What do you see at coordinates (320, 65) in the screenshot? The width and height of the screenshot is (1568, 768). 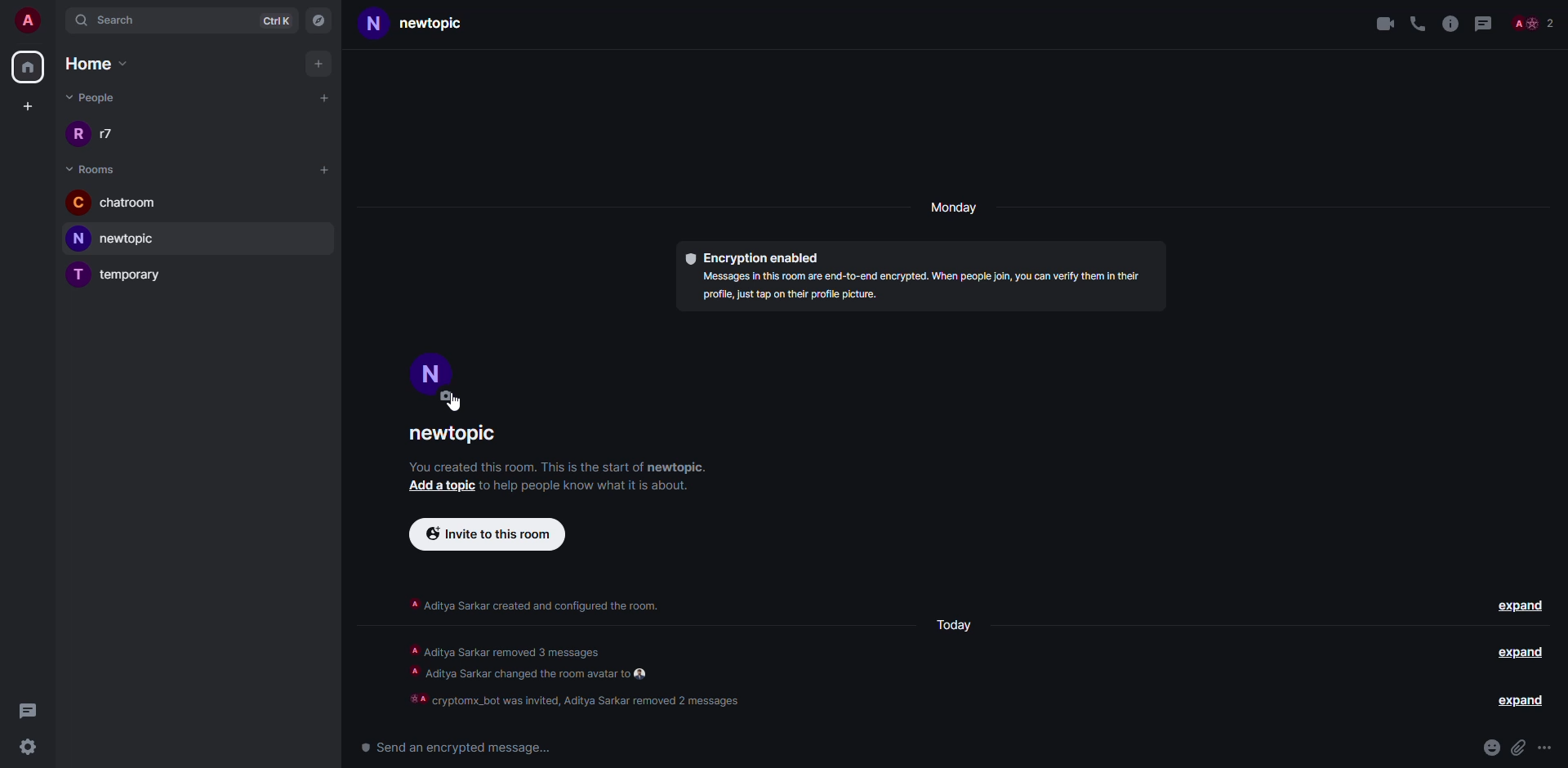 I see `add` at bounding box center [320, 65].